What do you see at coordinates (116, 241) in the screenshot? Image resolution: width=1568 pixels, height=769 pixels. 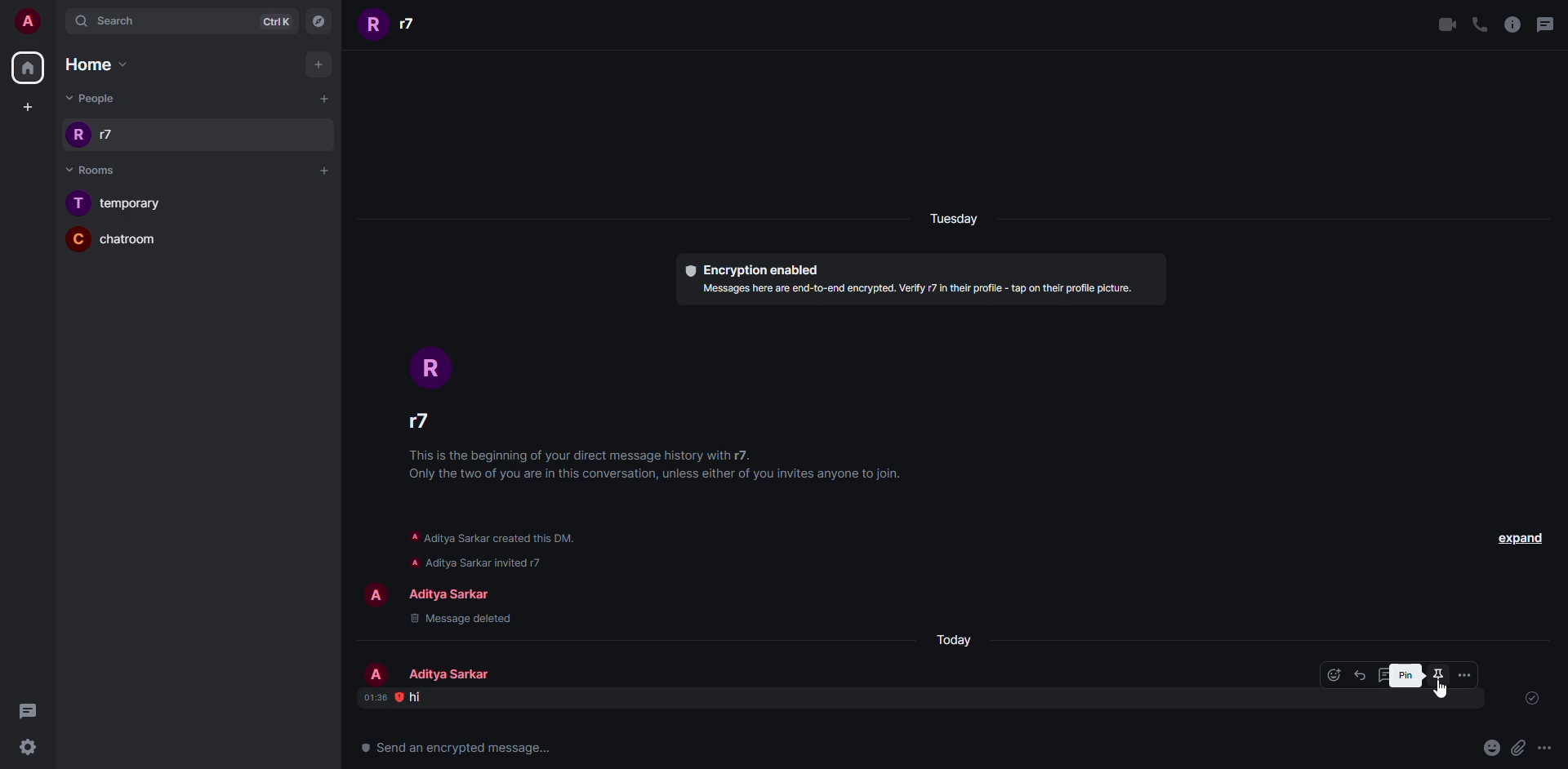 I see `room` at bounding box center [116, 241].